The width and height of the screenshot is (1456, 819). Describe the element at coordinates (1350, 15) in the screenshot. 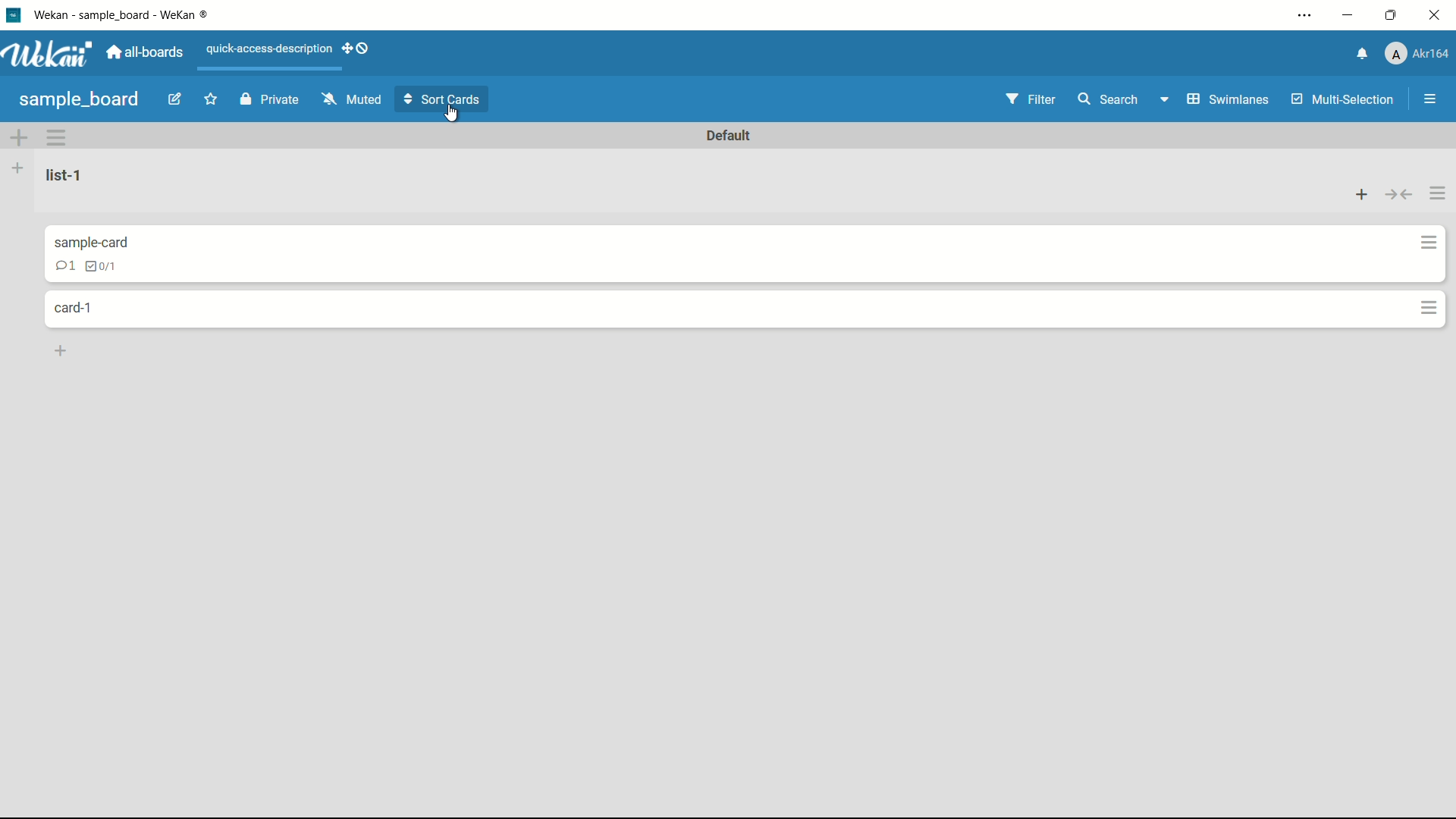

I see `minimize` at that location.